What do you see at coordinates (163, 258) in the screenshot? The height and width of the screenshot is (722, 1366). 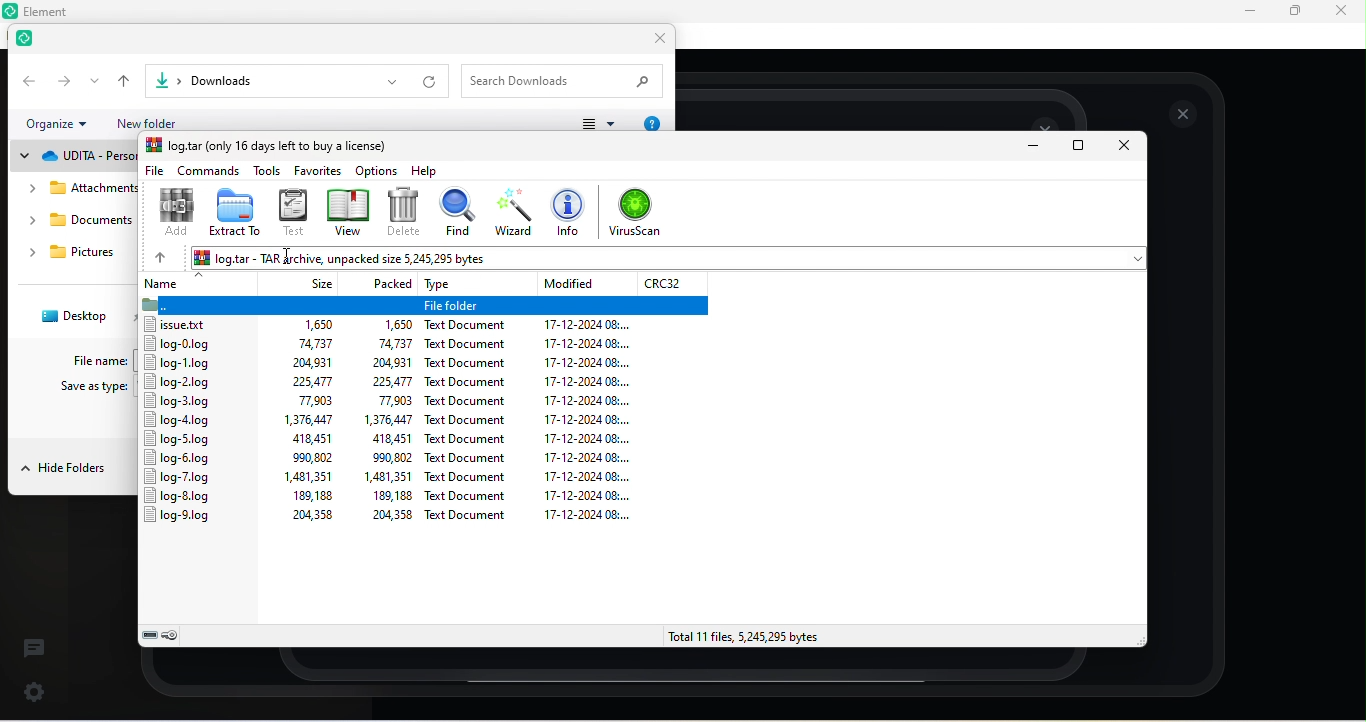 I see `previous` at bounding box center [163, 258].